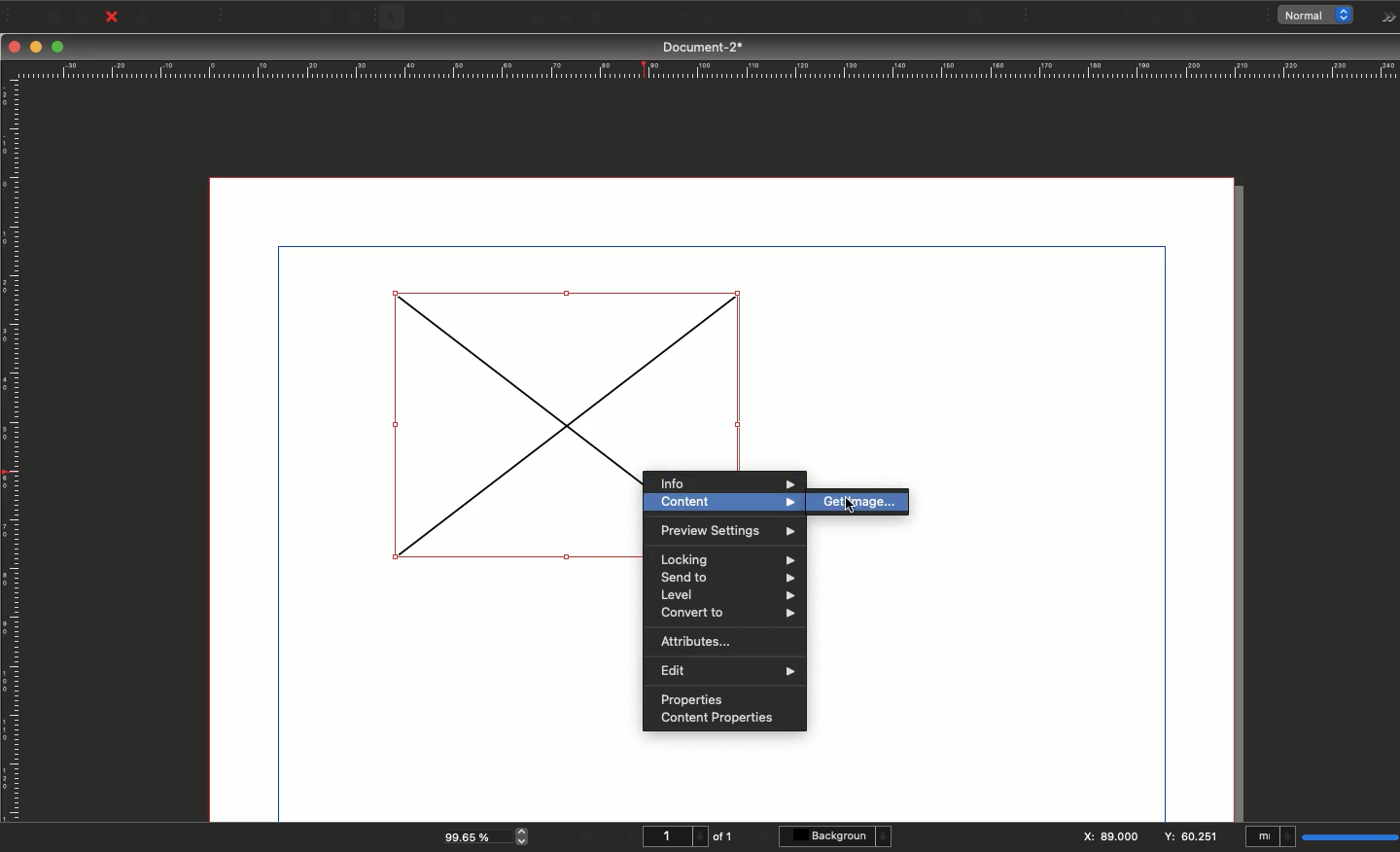 The height and width of the screenshot is (852, 1400). What do you see at coordinates (1384, 18) in the screenshot?
I see `Options` at bounding box center [1384, 18].